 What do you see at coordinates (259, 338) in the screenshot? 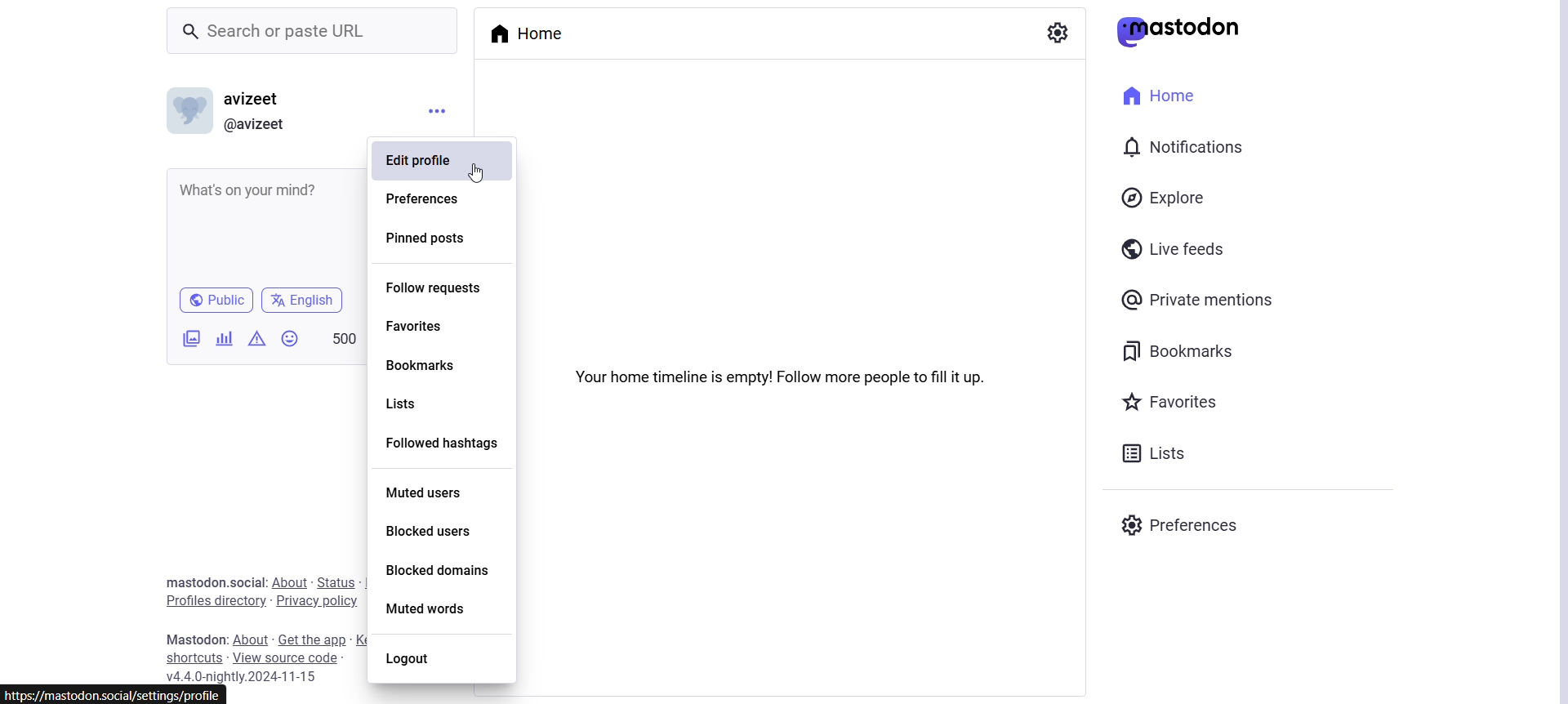
I see `Add content` at bounding box center [259, 338].